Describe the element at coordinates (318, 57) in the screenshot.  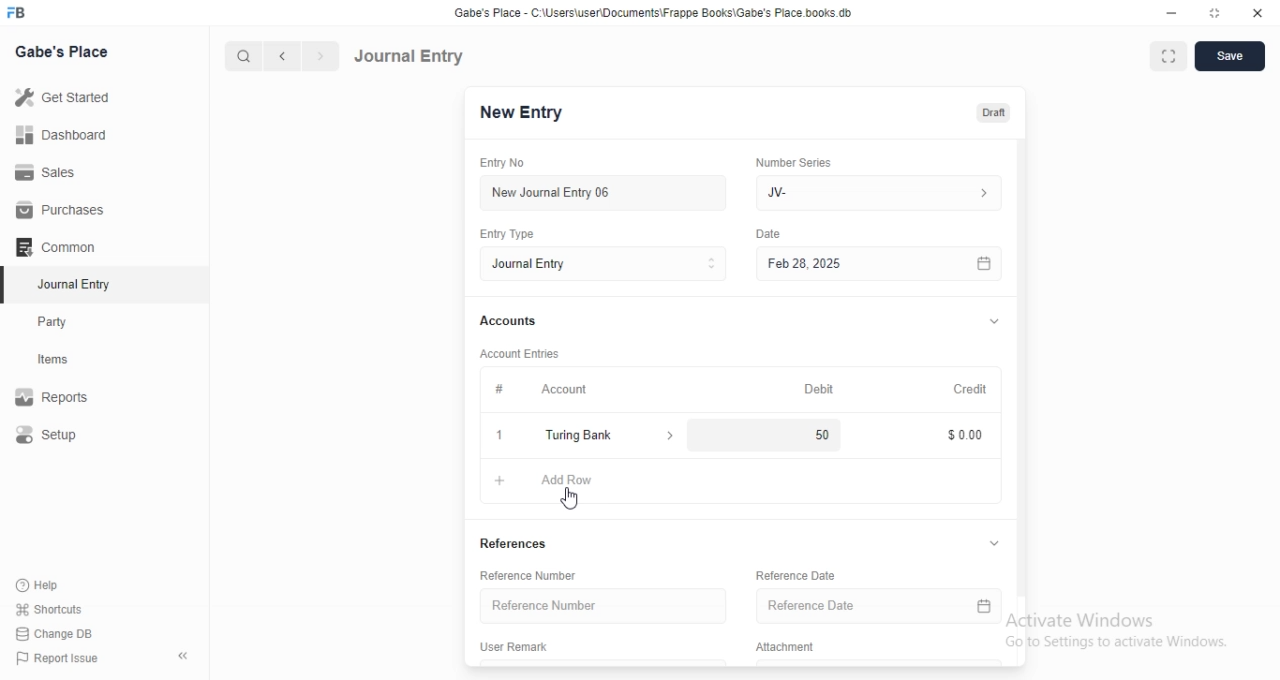
I see `next` at that location.